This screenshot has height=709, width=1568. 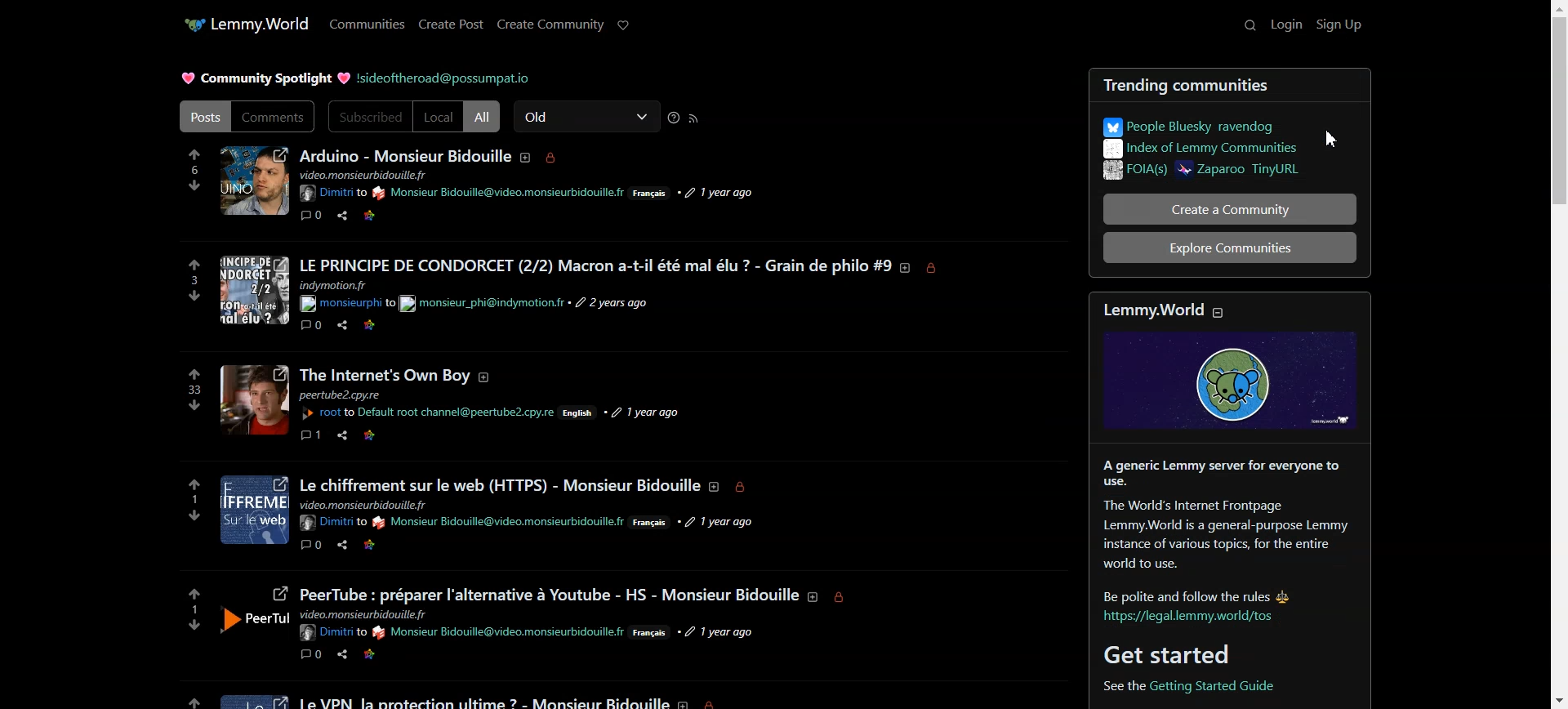 What do you see at coordinates (470, 328) in the screenshot?
I see `more` at bounding box center [470, 328].